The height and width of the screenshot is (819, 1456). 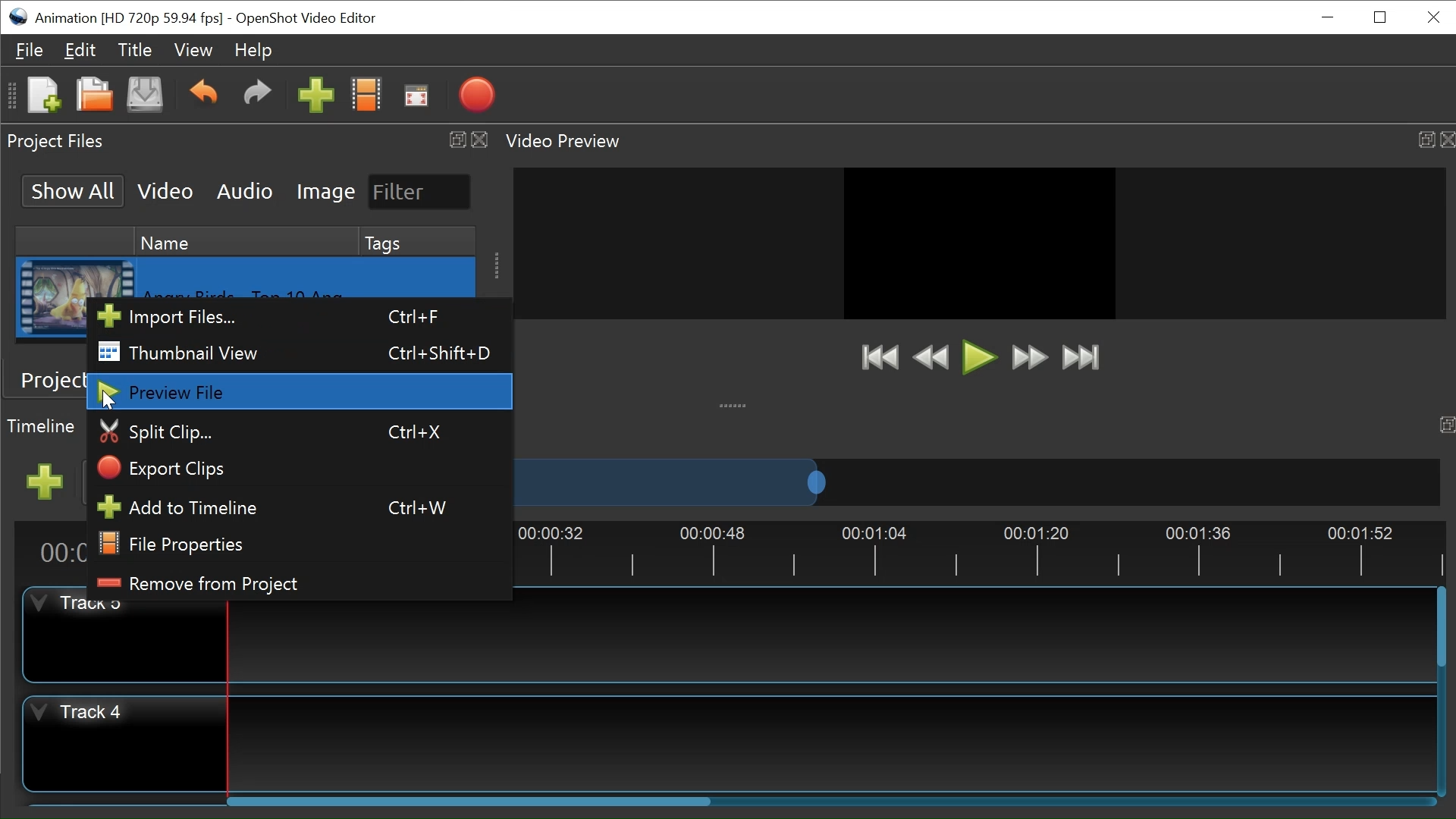 I want to click on Preview, so click(x=934, y=359).